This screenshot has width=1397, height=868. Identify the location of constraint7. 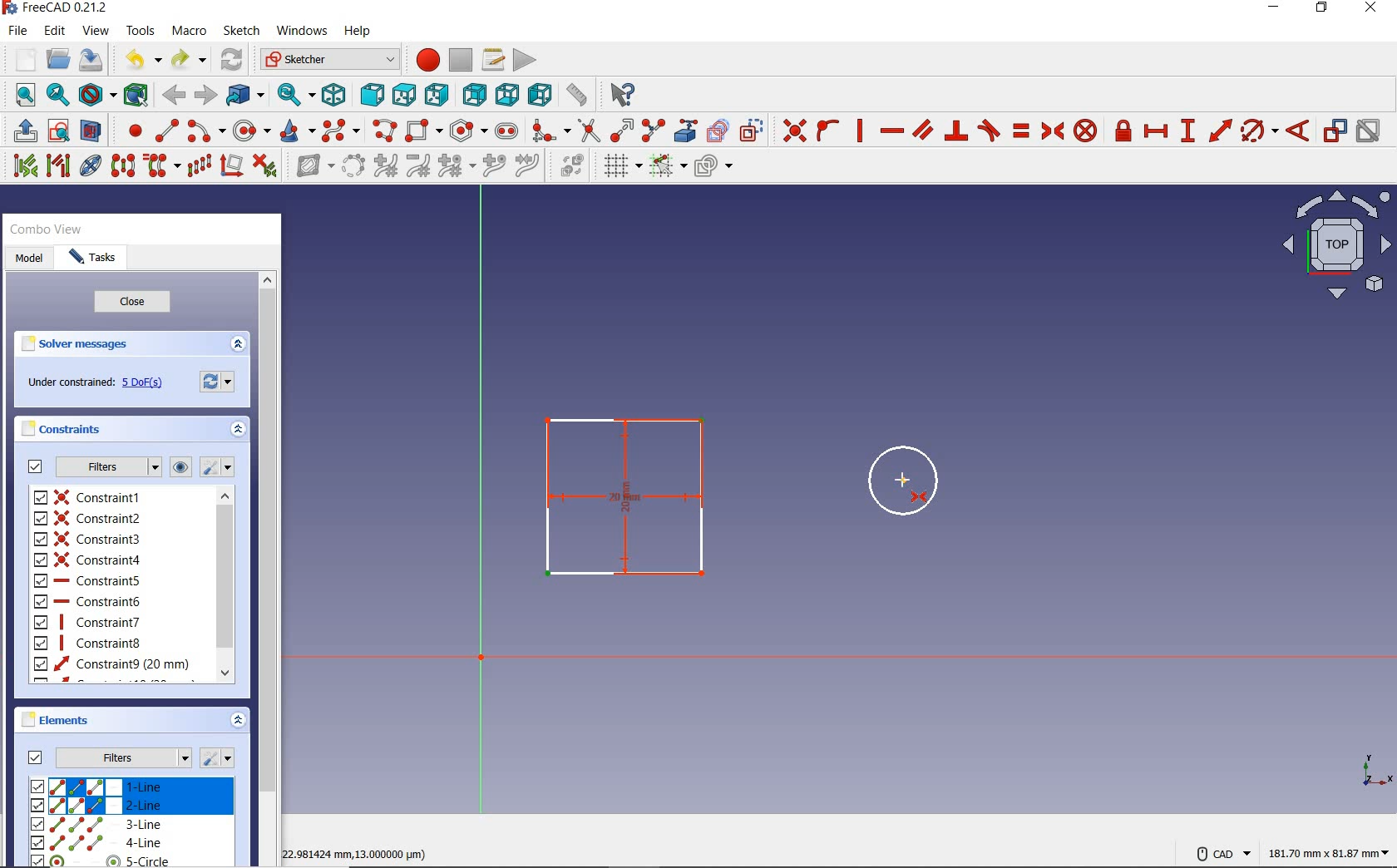
(88, 622).